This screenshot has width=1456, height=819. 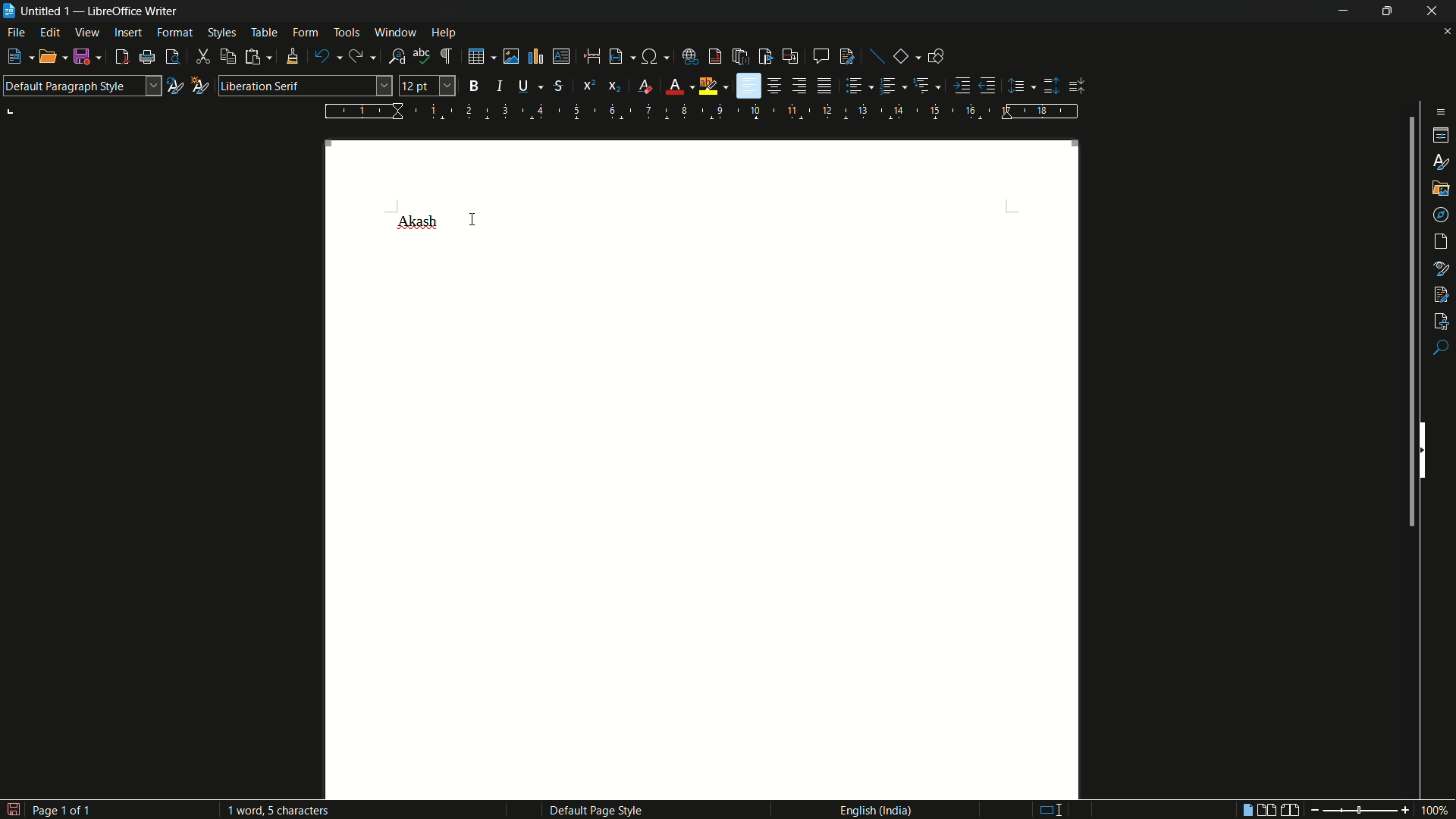 I want to click on select outline format, so click(x=923, y=85).